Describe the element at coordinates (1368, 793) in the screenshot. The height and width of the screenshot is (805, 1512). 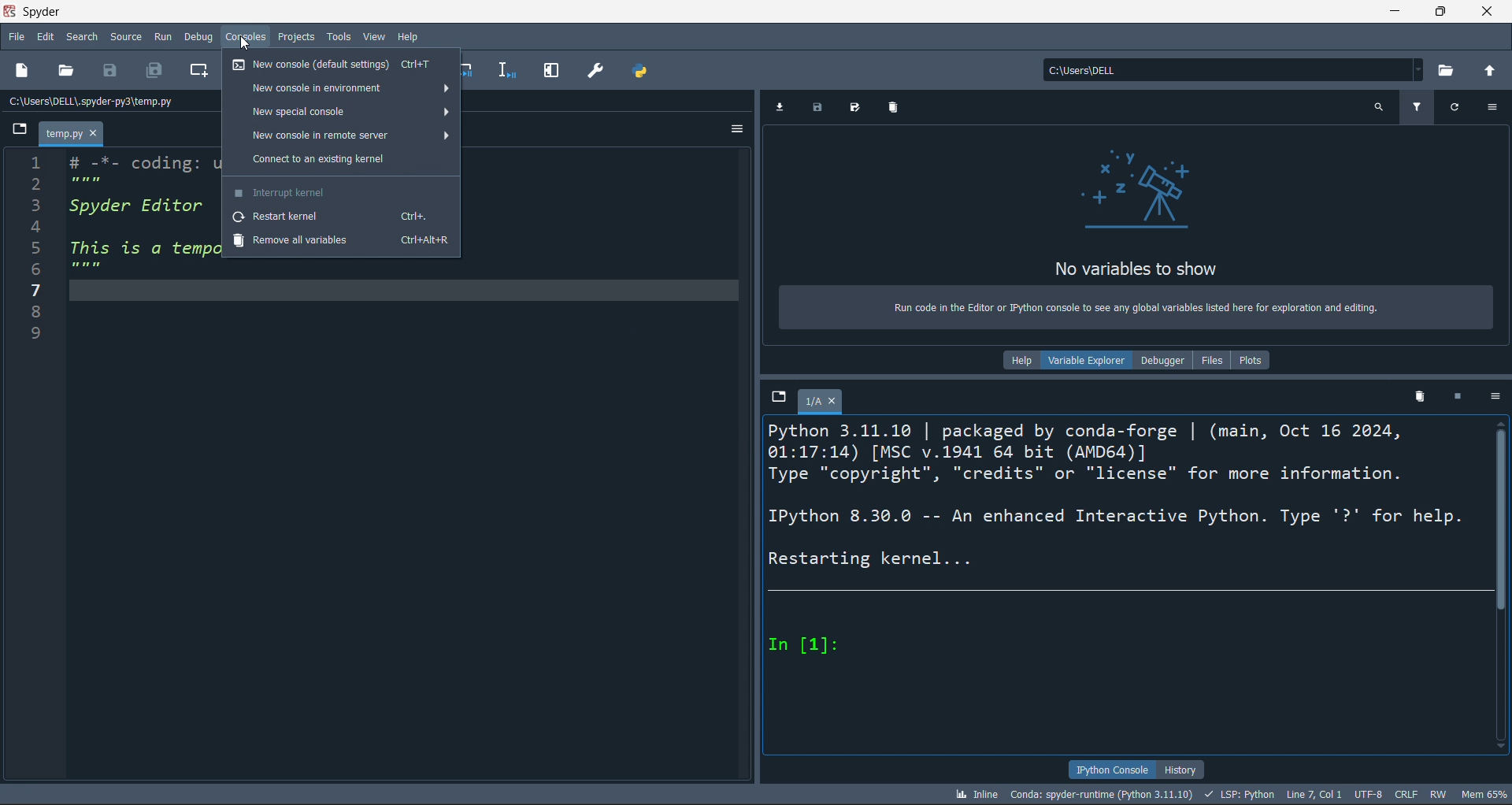
I see `UTF-8` at that location.